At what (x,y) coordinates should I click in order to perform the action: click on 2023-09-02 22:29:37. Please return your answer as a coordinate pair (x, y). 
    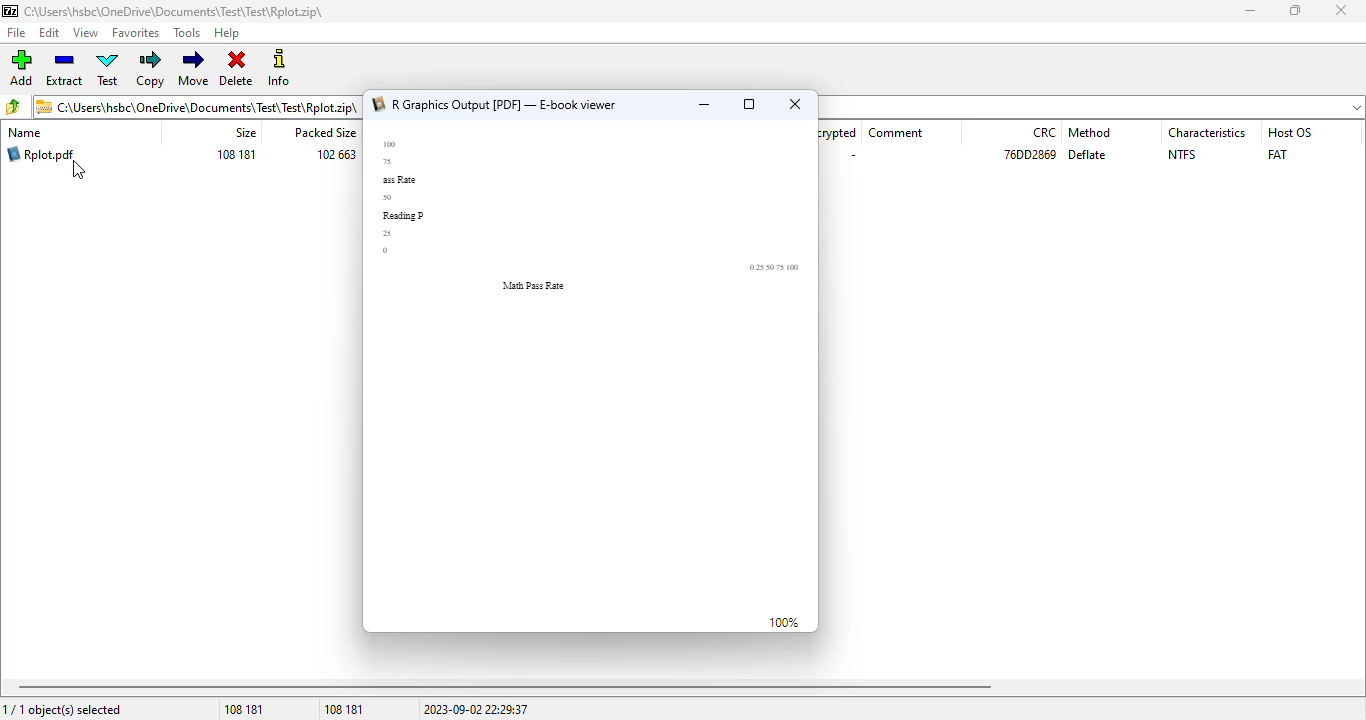
    Looking at the image, I should click on (475, 710).